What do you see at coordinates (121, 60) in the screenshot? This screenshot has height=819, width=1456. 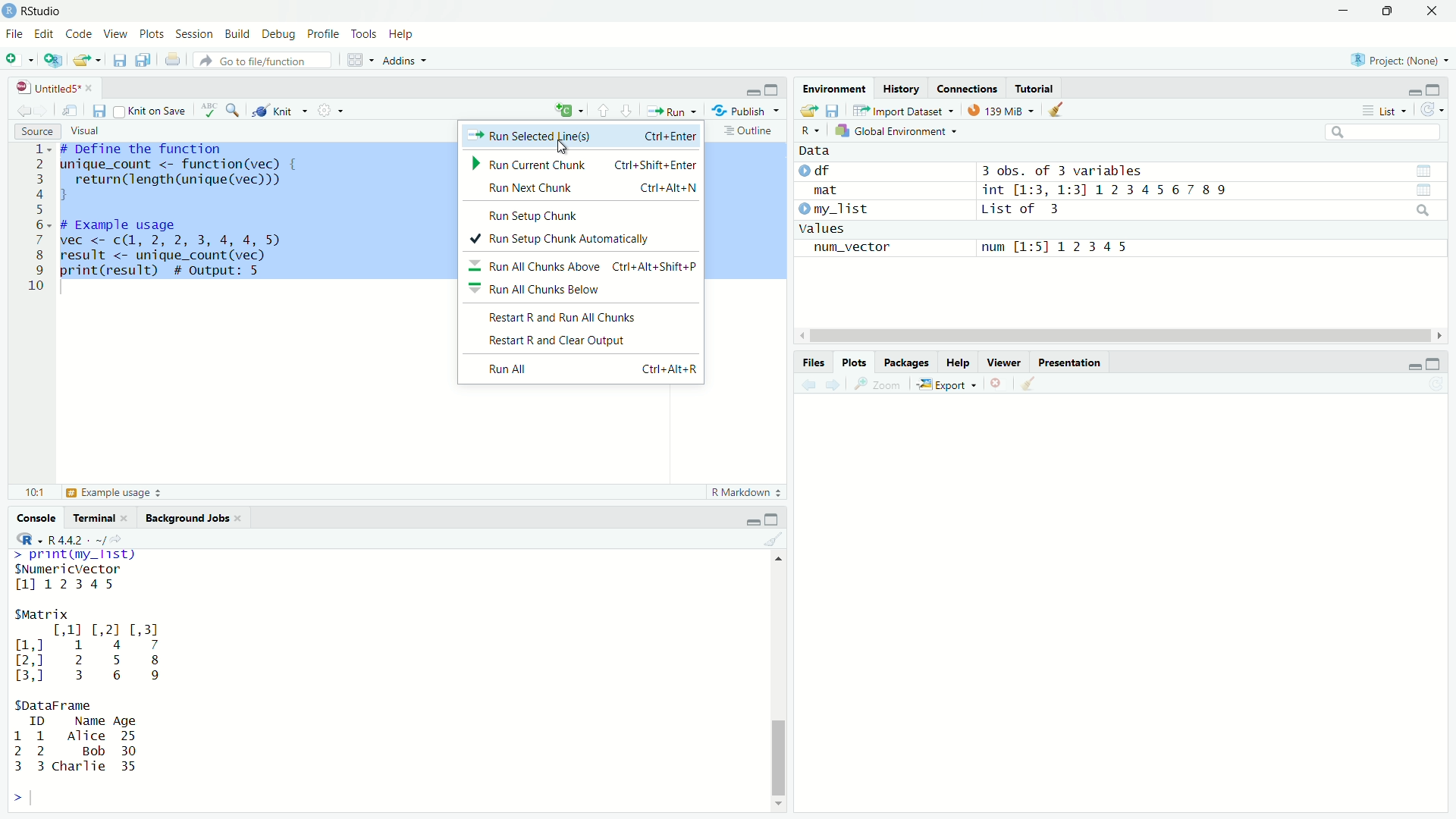 I see `save` at bounding box center [121, 60].